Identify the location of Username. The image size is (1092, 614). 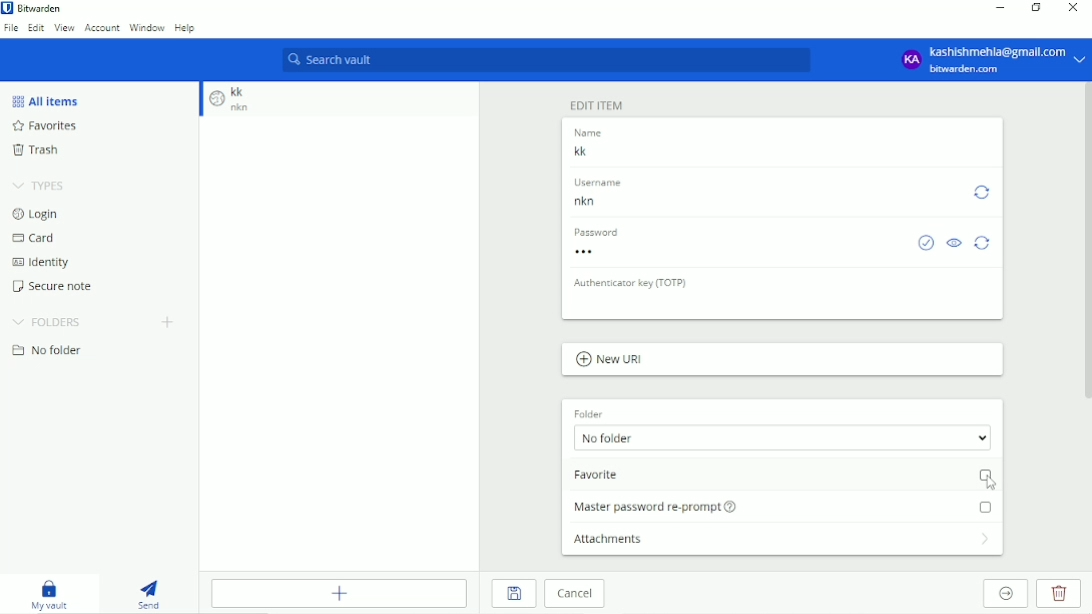
(604, 203).